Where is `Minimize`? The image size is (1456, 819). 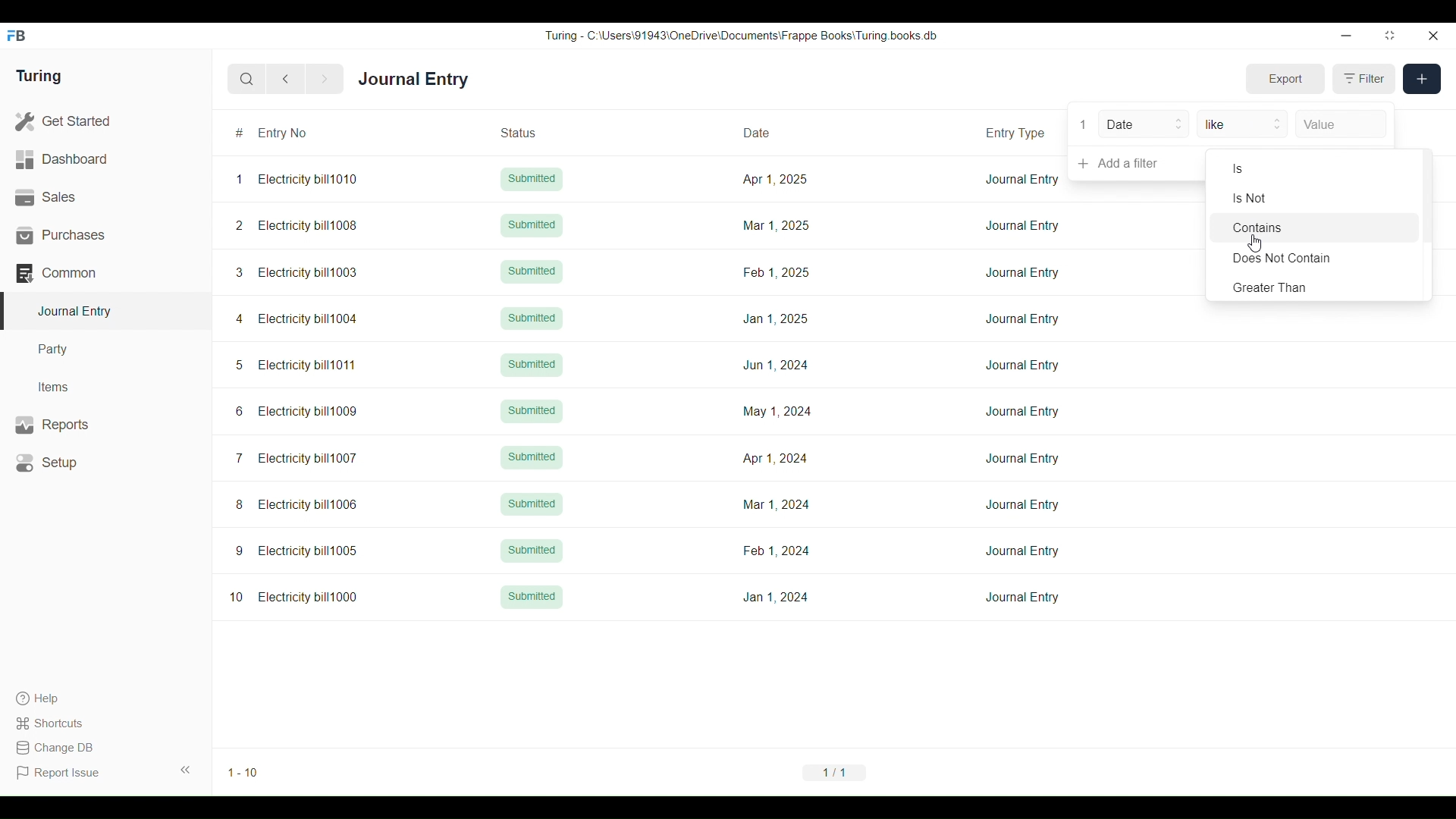 Minimize is located at coordinates (1347, 36).